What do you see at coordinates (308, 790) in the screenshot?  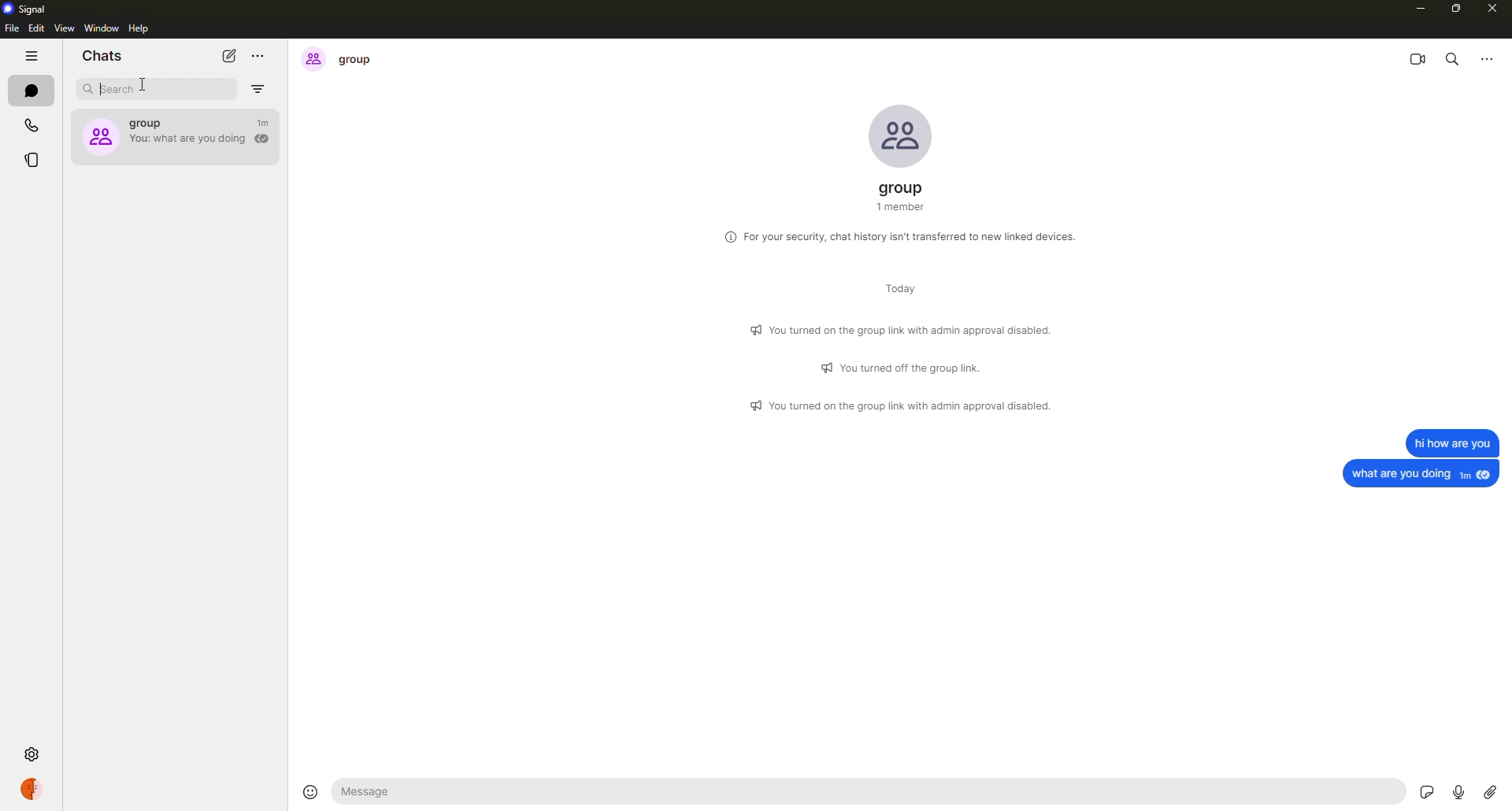 I see `emoji` at bounding box center [308, 790].